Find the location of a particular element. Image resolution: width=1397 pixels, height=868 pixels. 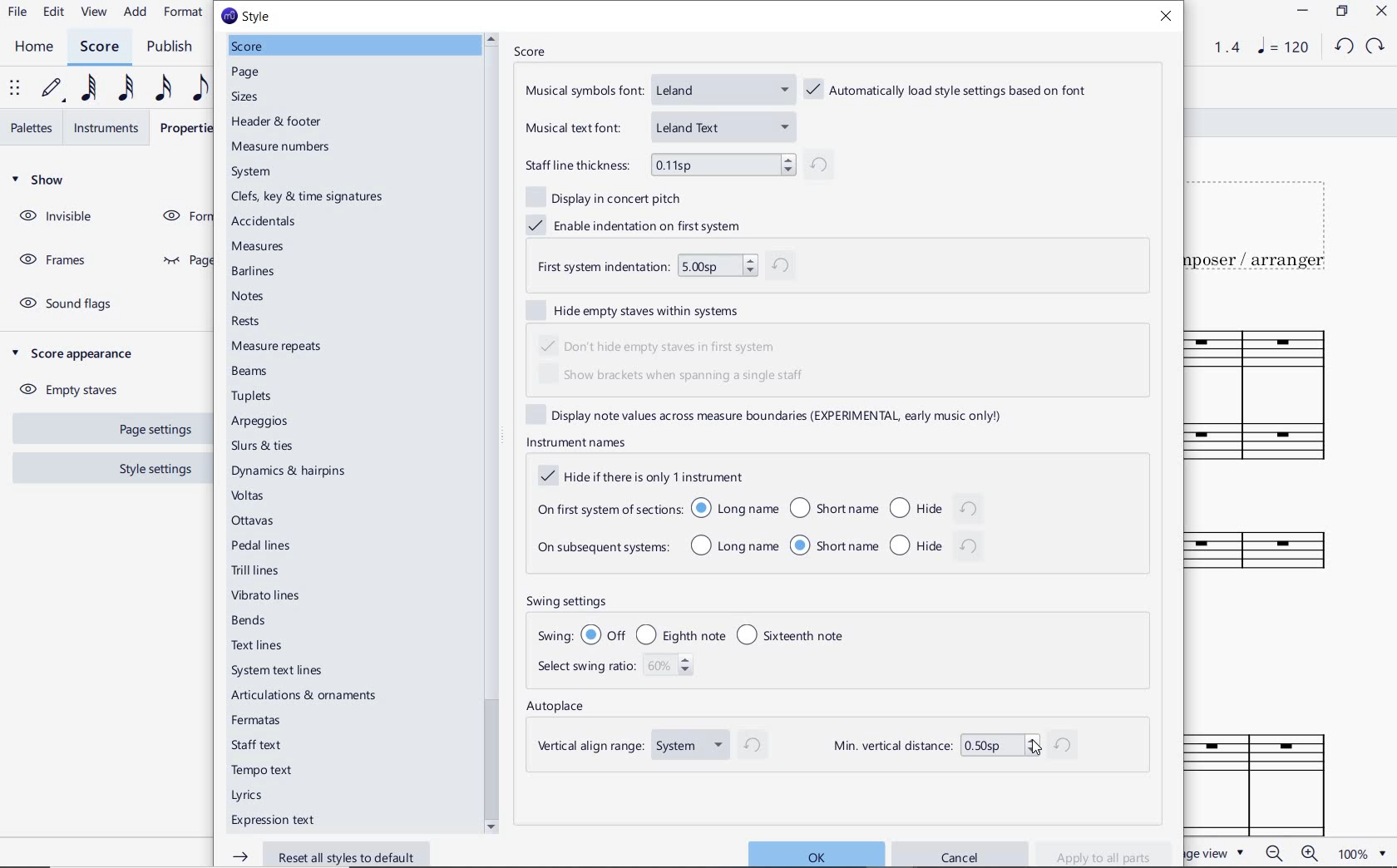

AUTOMATCALLY LOAD STYLE is located at coordinates (950, 91).